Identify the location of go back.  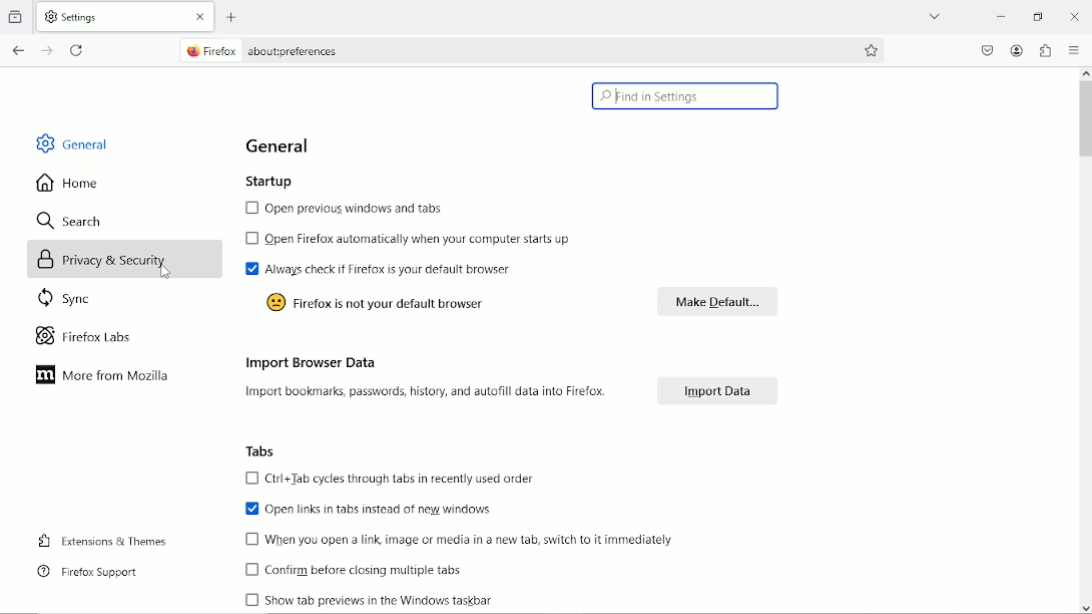
(19, 50).